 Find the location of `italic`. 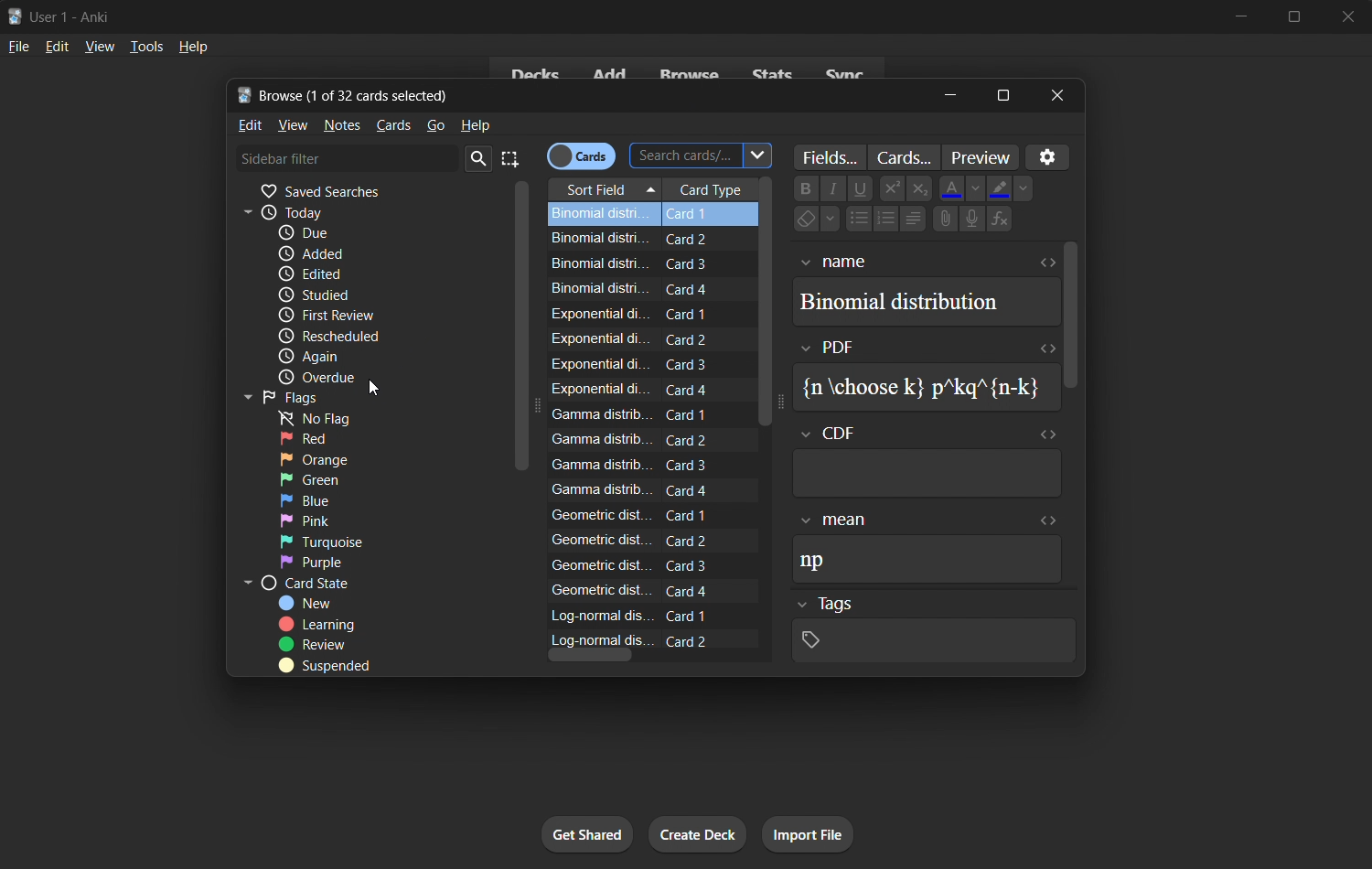

italic is located at coordinates (831, 187).